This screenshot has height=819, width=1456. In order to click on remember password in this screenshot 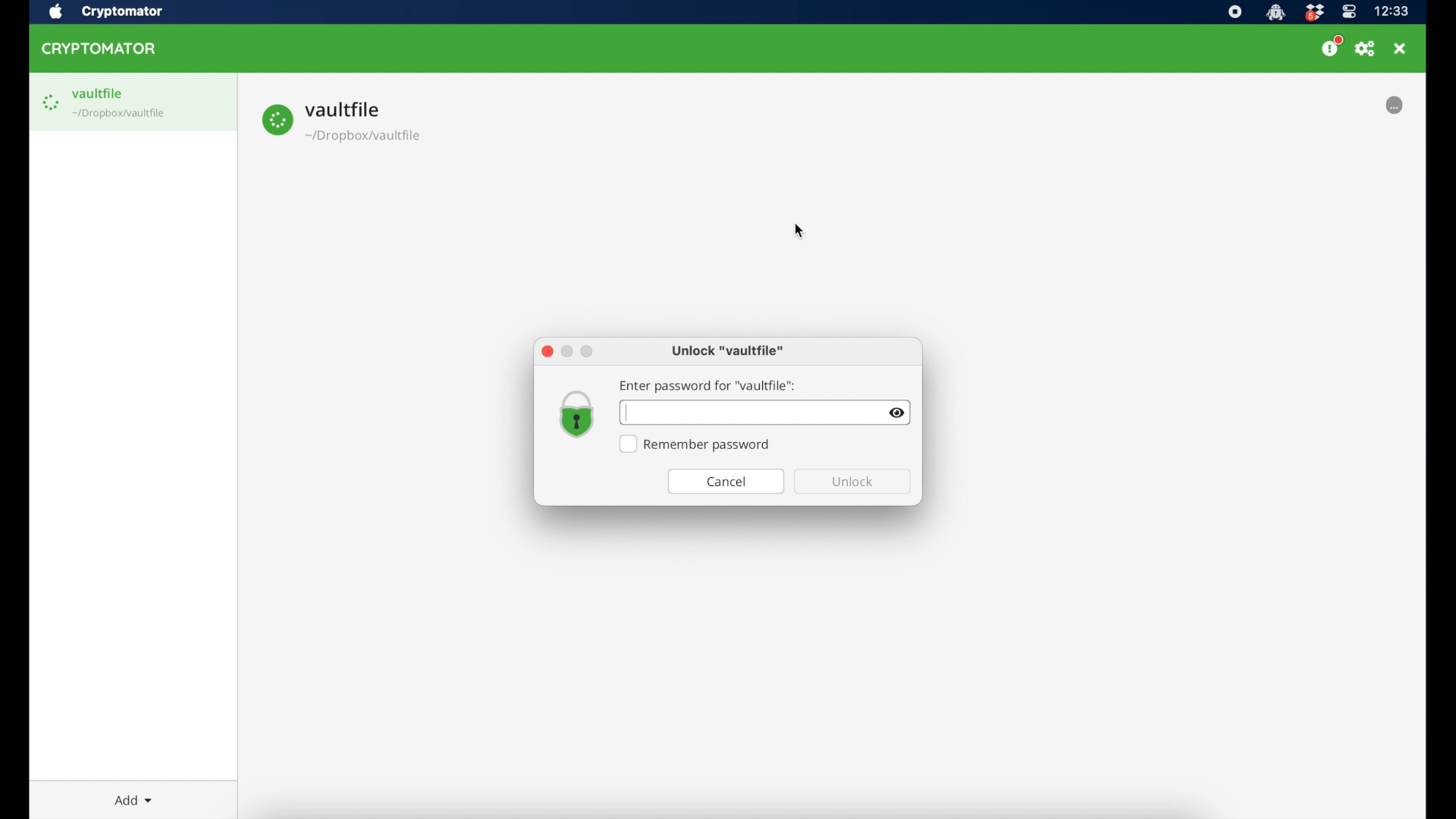, I will do `click(695, 444)`.